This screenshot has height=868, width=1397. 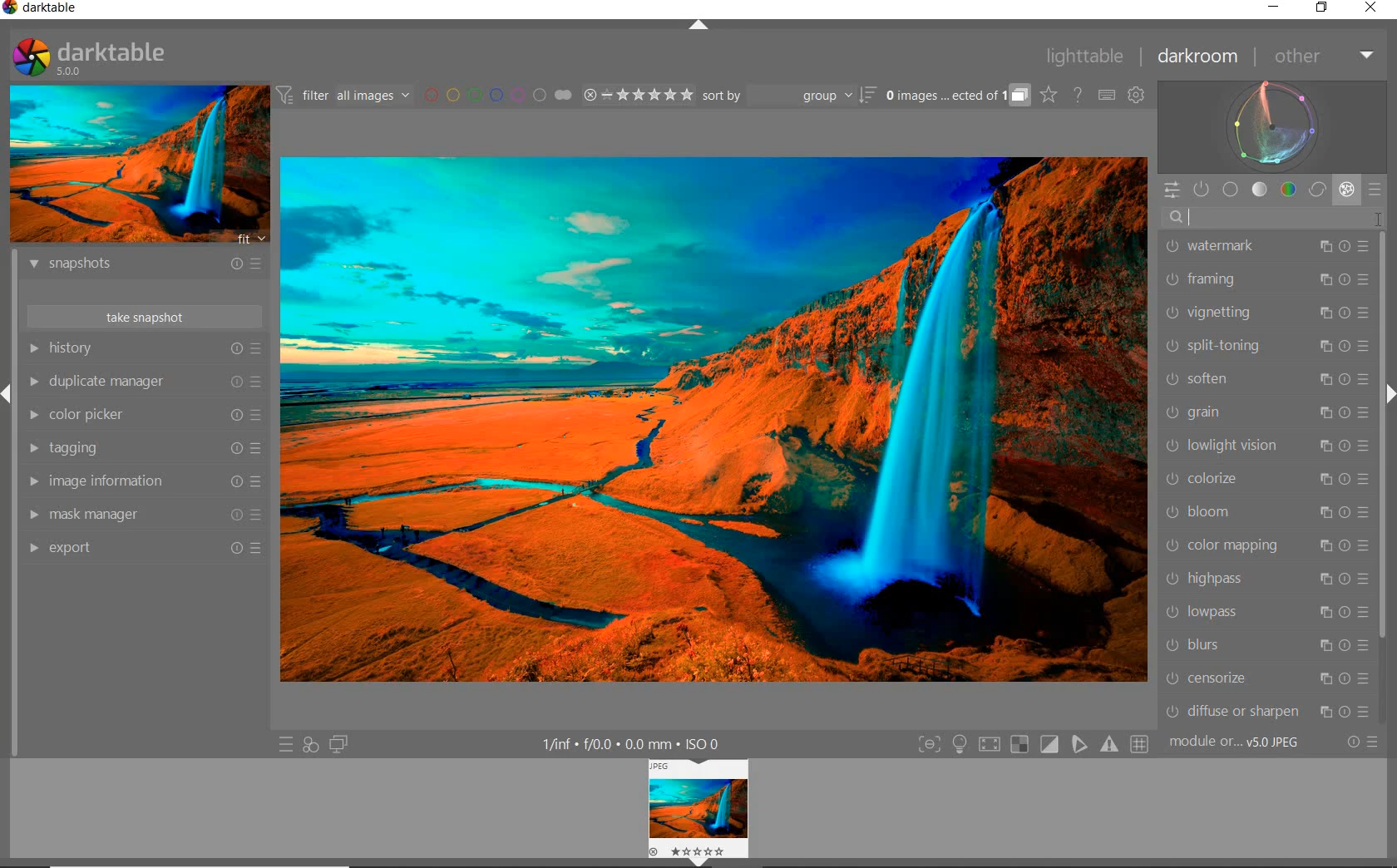 I want to click on lowpass, so click(x=1266, y=614).